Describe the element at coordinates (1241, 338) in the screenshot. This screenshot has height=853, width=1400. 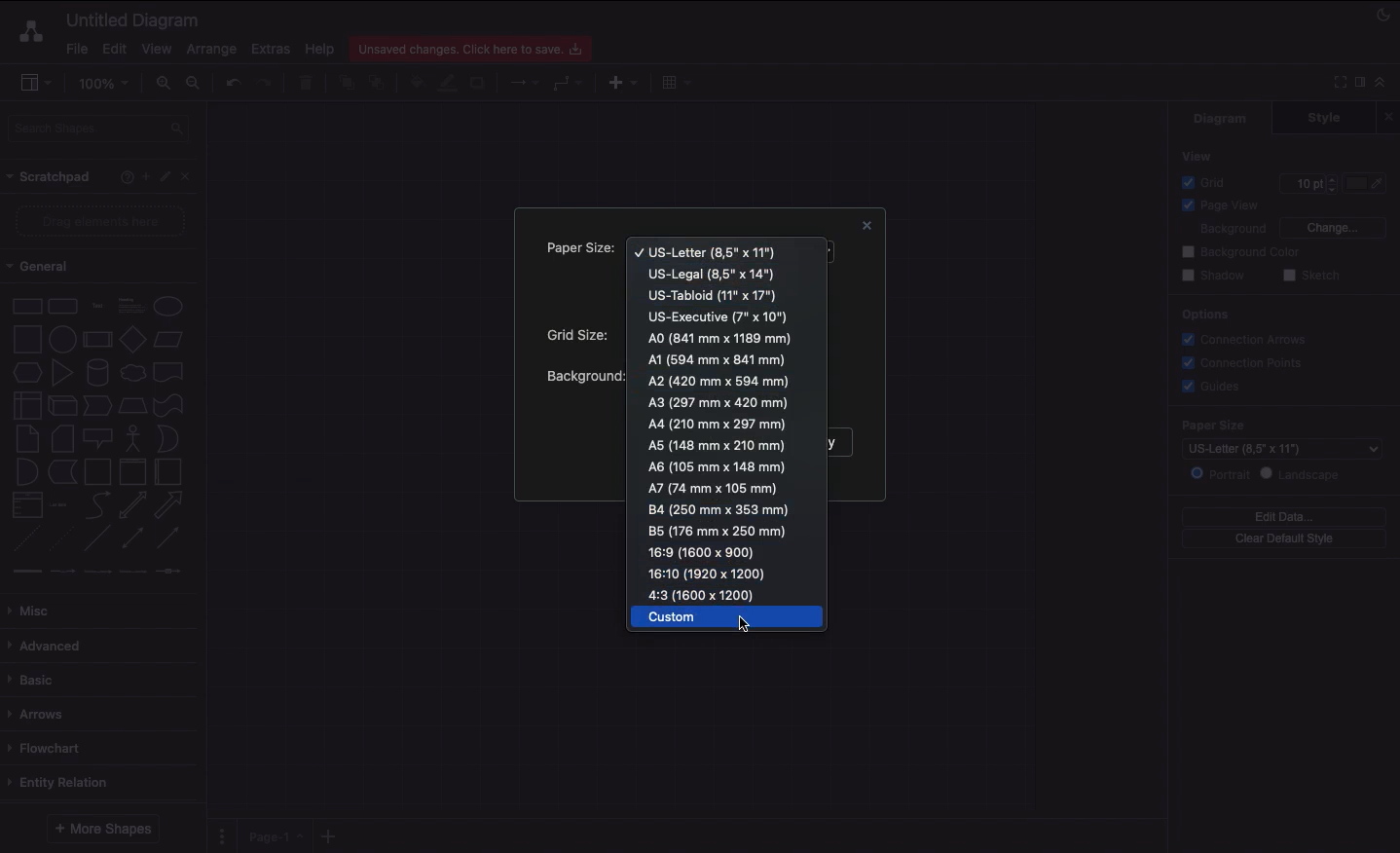
I see `Correction arrows` at that location.